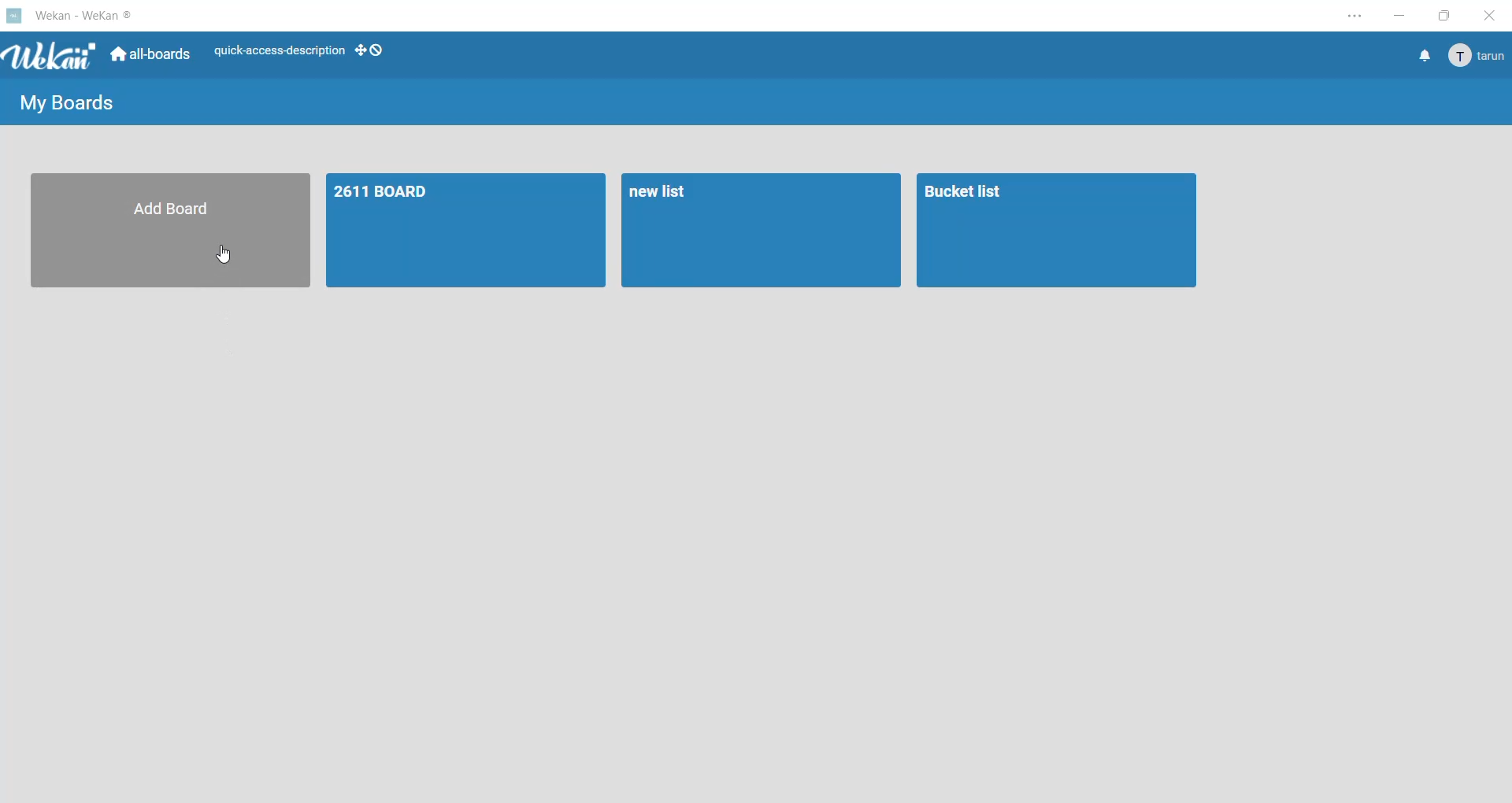  Describe the element at coordinates (49, 56) in the screenshot. I see `WeKan` at that location.